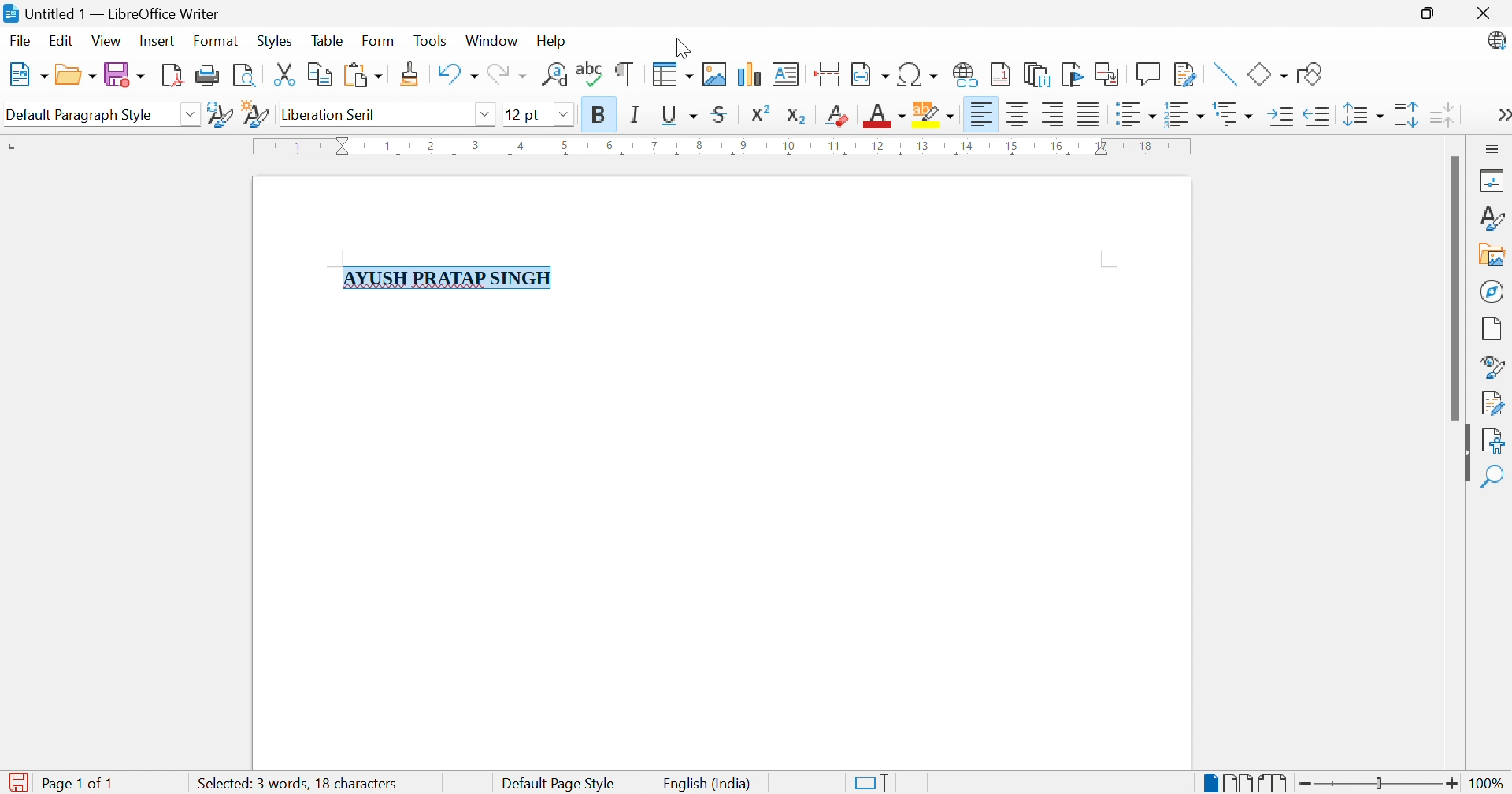  Describe the element at coordinates (875, 783) in the screenshot. I see `Standard Selection. Click to change selection mode.` at that location.